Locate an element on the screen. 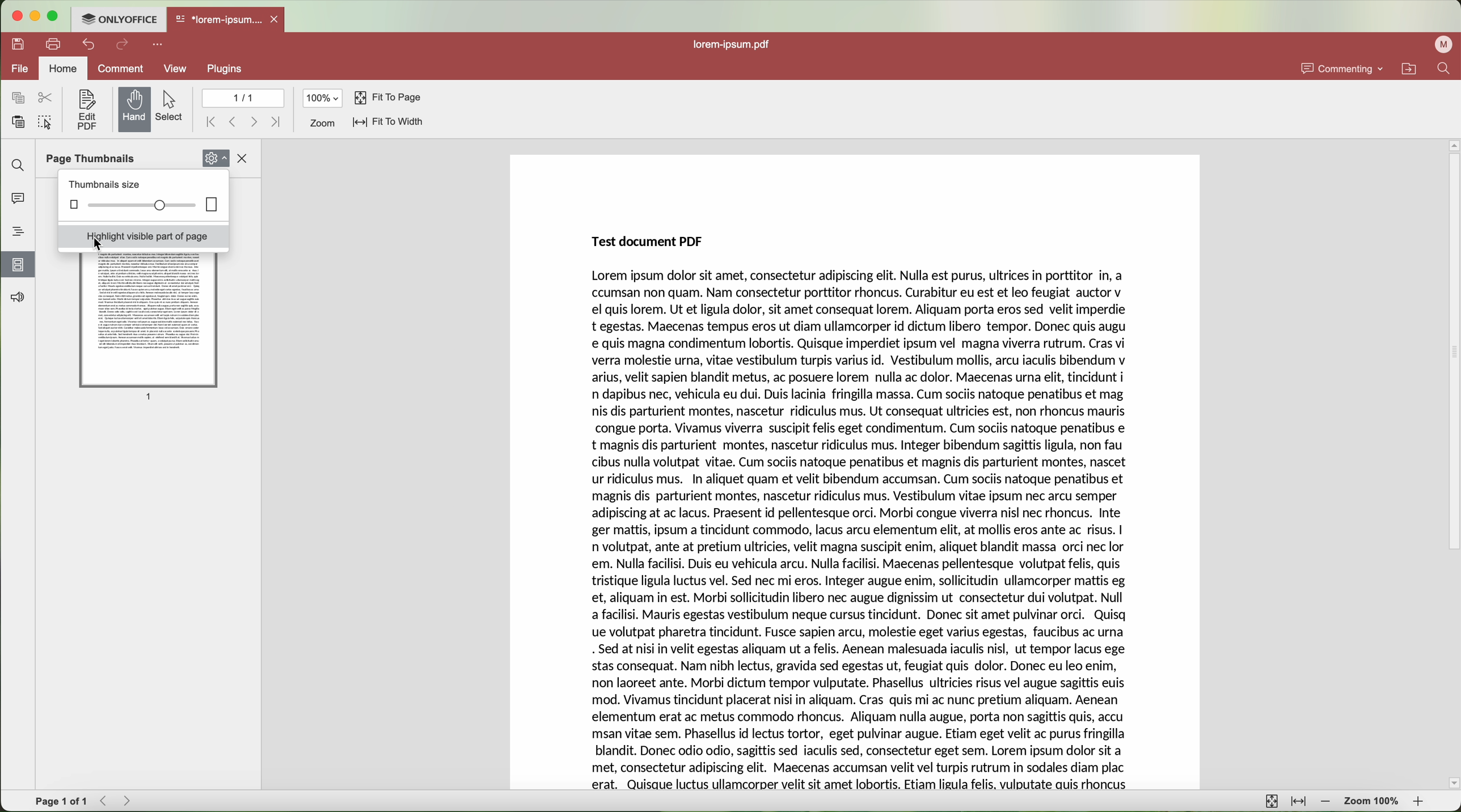 The height and width of the screenshot is (812, 1461). Backward is located at coordinates (105, 801).